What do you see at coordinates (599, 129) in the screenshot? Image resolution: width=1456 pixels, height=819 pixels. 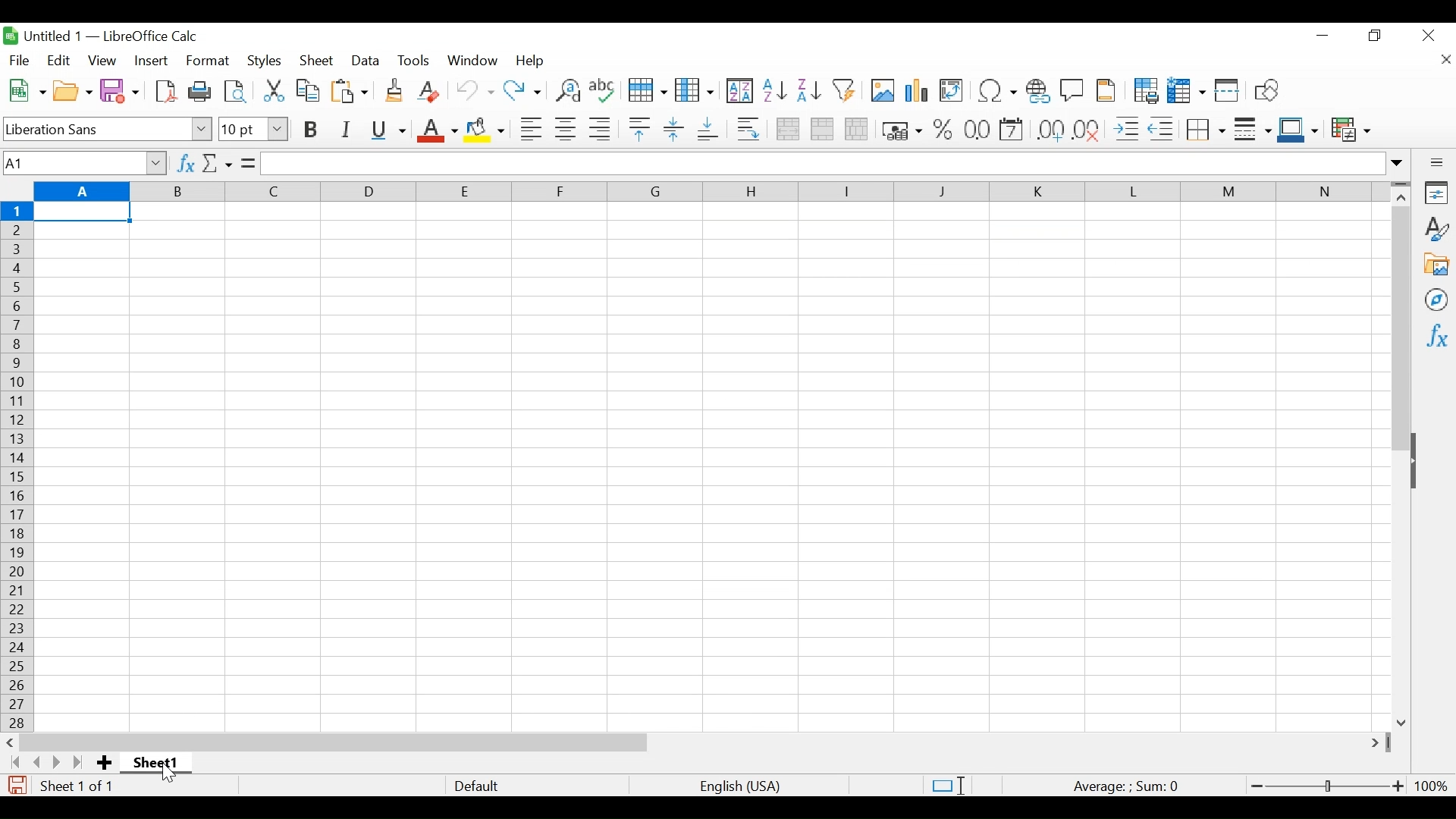 I see `Align Right` at bounding box center [599, 129].